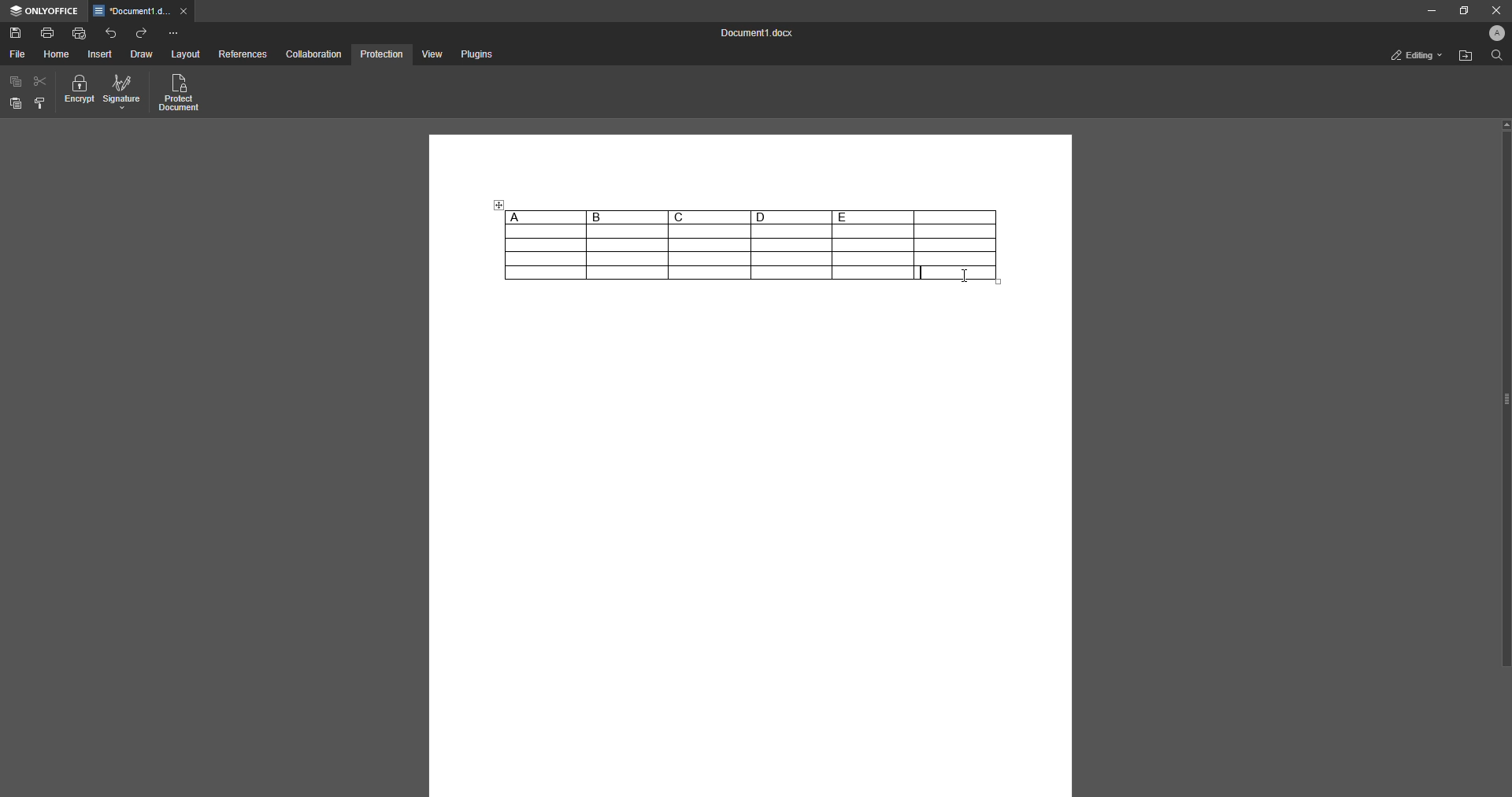 The width and height of the screenshot is (1512, 797). What do you see at coordinates (48, 32) in the screenshot?
I see `Print` at bounding box center [48, 32].